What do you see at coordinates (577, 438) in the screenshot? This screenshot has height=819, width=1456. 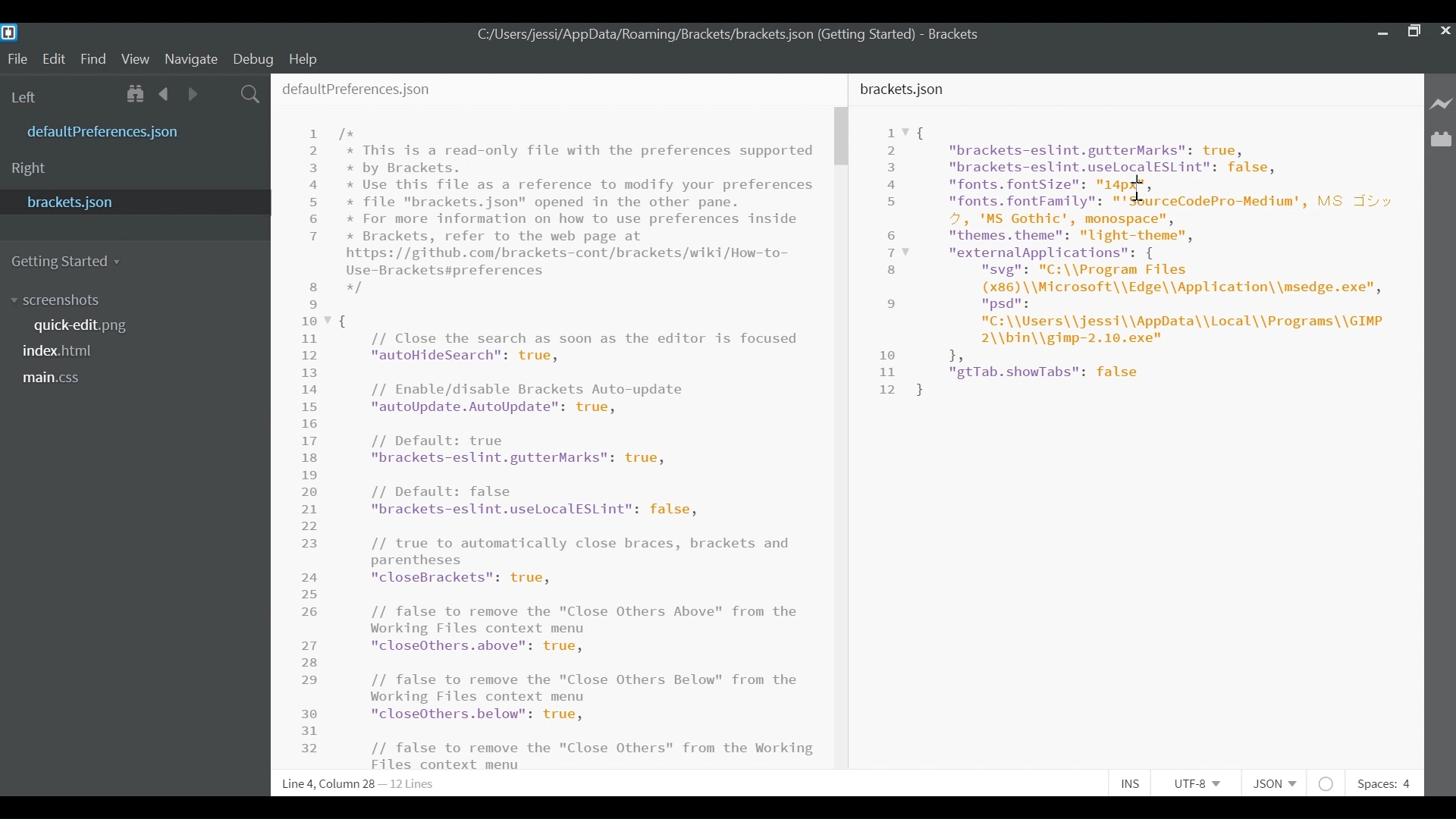 I see `/*
* This is a read-only file with the preferences supported
* by Brackets.
* Use this file as a reference to modify your preferences
* file "brackets.json" opened in the other pane.
* For more information on how to use preferences inside
* Brackets, refer to the web page at
https: //github.com/brackets-cont/brackets/wiki/How-to-
Use-Brackets#preferences
*/
{
// Close the search as soon as the editor is focused
"autoHideSearch": true,
// Enable/disable Brackets Auto-update
"autoUpdate.AutoUpdate": true,
// Default: true
"brackets-eslint.gutterMarks": true,
// Default: false
"brackets-eslint.uselocalESLint": false,
// true to automatically close braces, brackets and
parentheses
Fo lai Ta NS` at bounding box center [577, 438].